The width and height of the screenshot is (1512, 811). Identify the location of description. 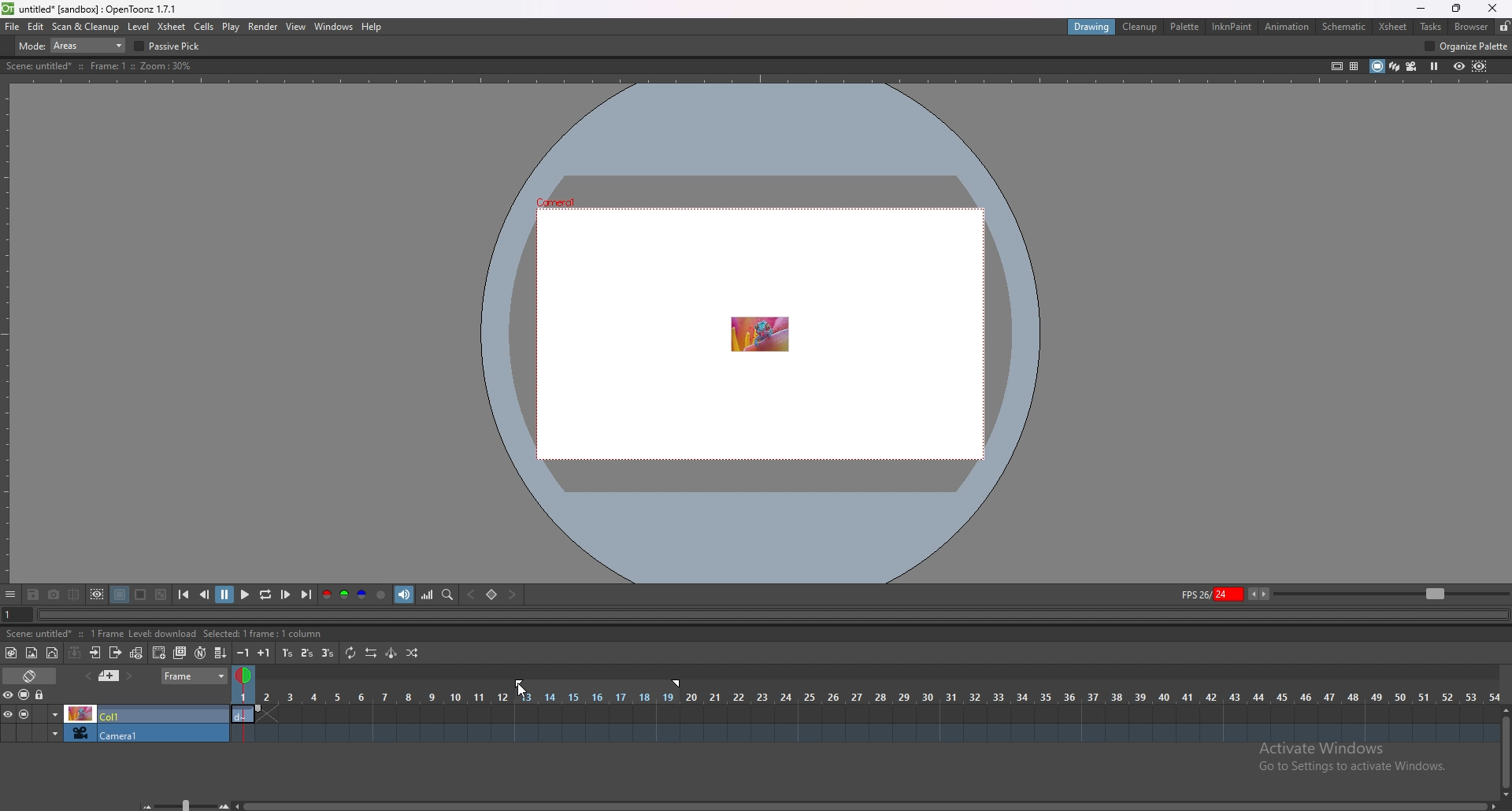
(101, 66).